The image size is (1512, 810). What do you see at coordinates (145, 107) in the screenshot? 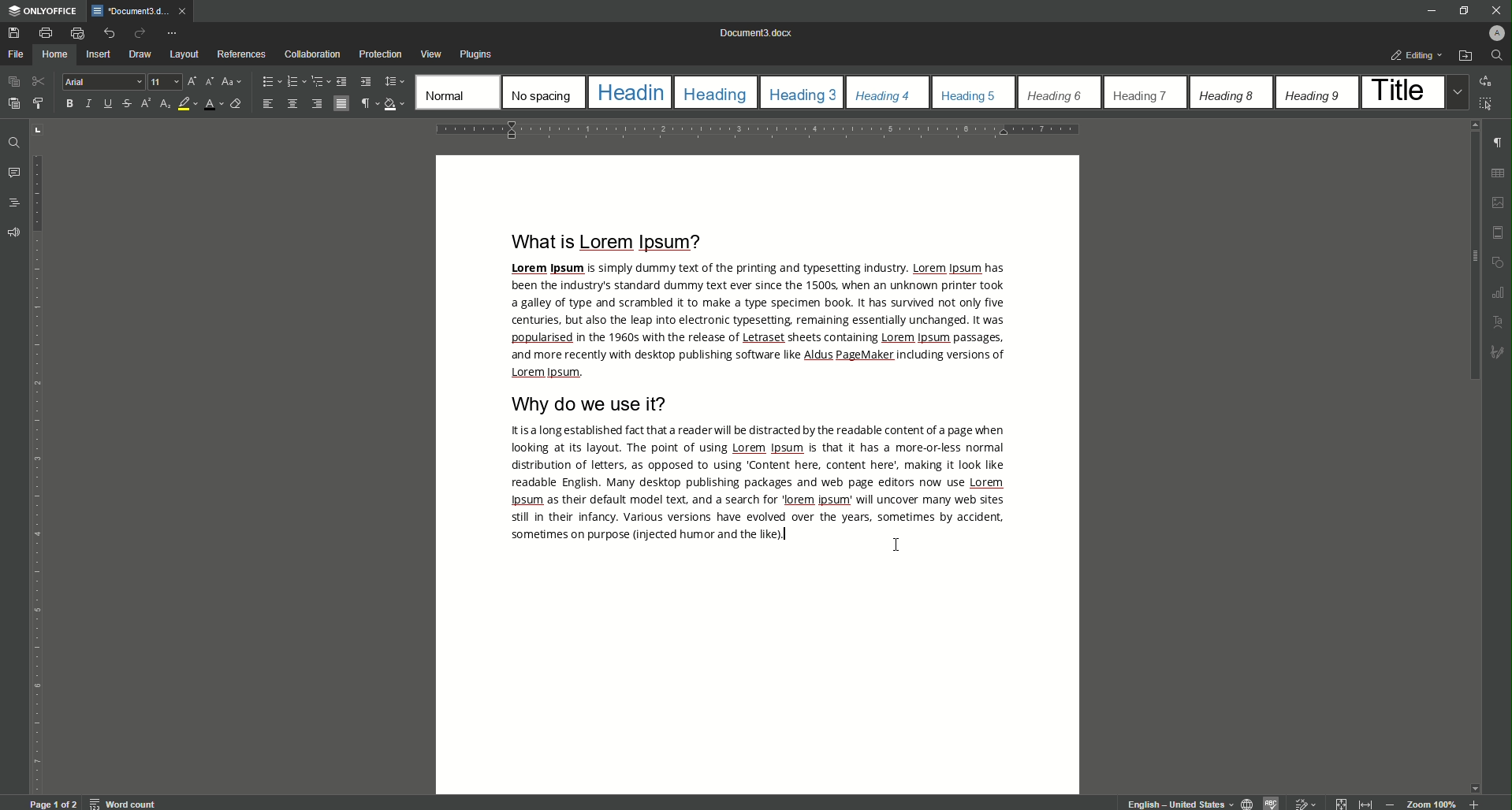
I see `Superscript` at bounding box center [145, 107].